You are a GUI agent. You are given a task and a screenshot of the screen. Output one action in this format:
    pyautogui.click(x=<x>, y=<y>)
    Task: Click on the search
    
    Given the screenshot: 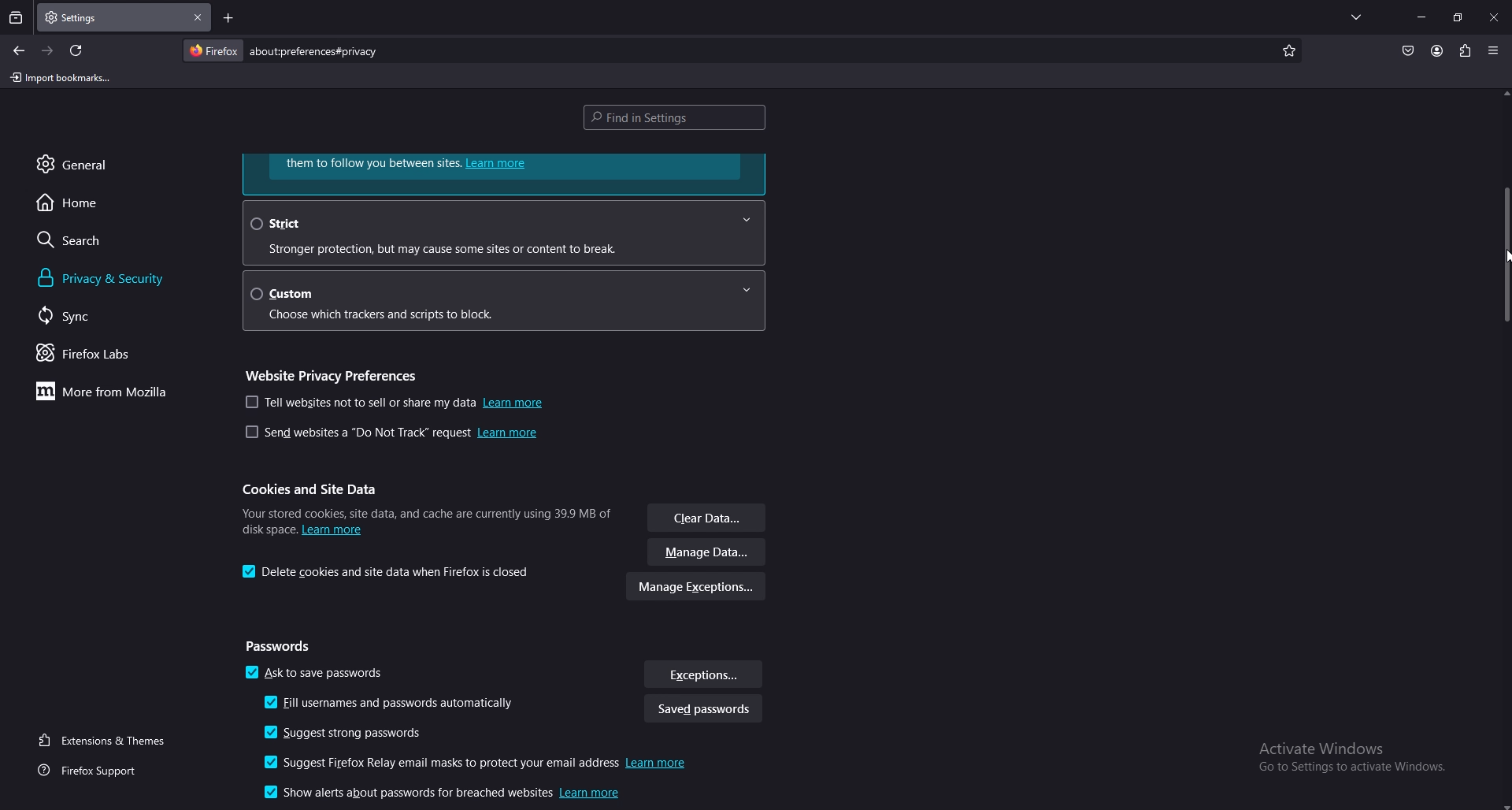 What is the action you would take?
    pyautogui.click(x=97, y=240)
    